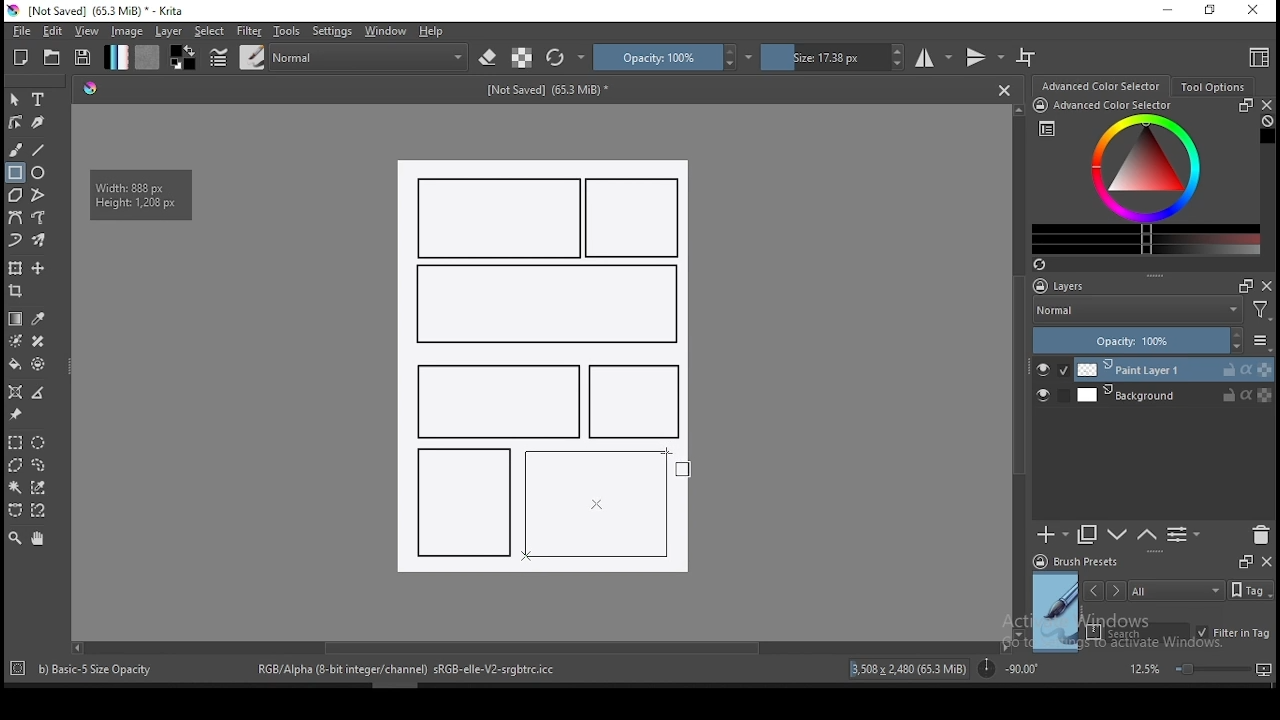  Describe the element at coordinates (1267, 285) in the screenshot. I see `close docker` at that location.